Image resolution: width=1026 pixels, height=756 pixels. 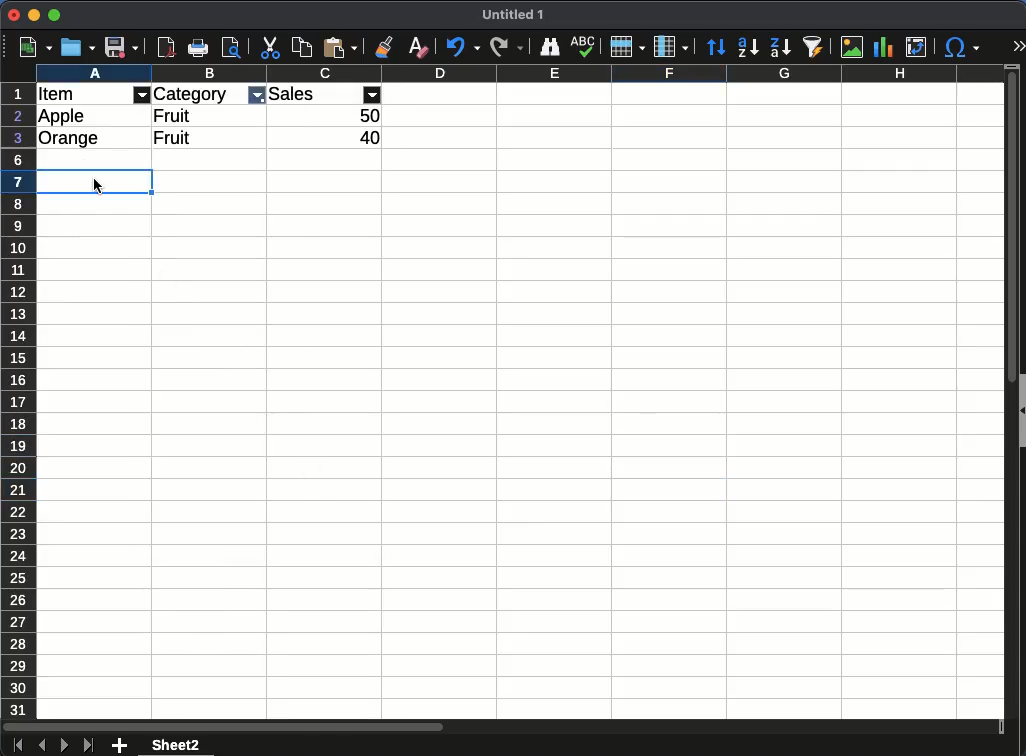 What do you see at coordinates (462, 48) in the screenshot?
I see `undo` at bounding box center [462, 48].